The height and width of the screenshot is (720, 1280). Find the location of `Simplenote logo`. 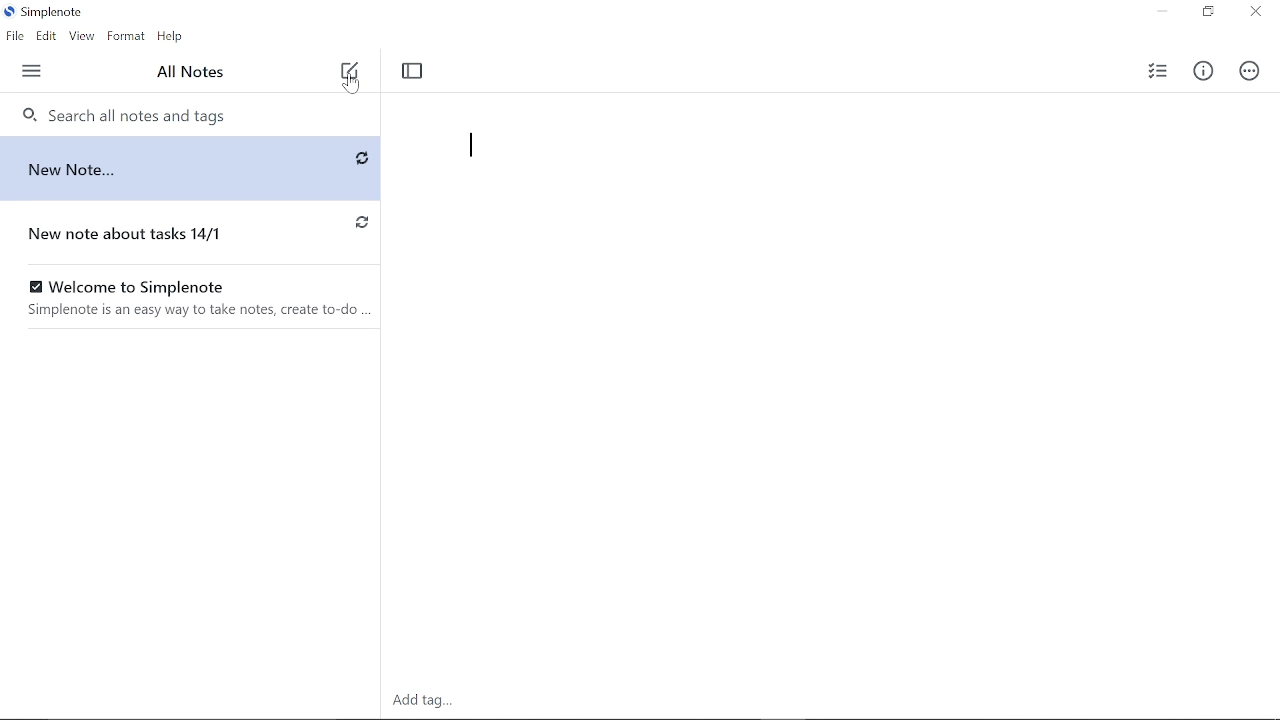

Simplenote logo is located at coordinates (45, 14).